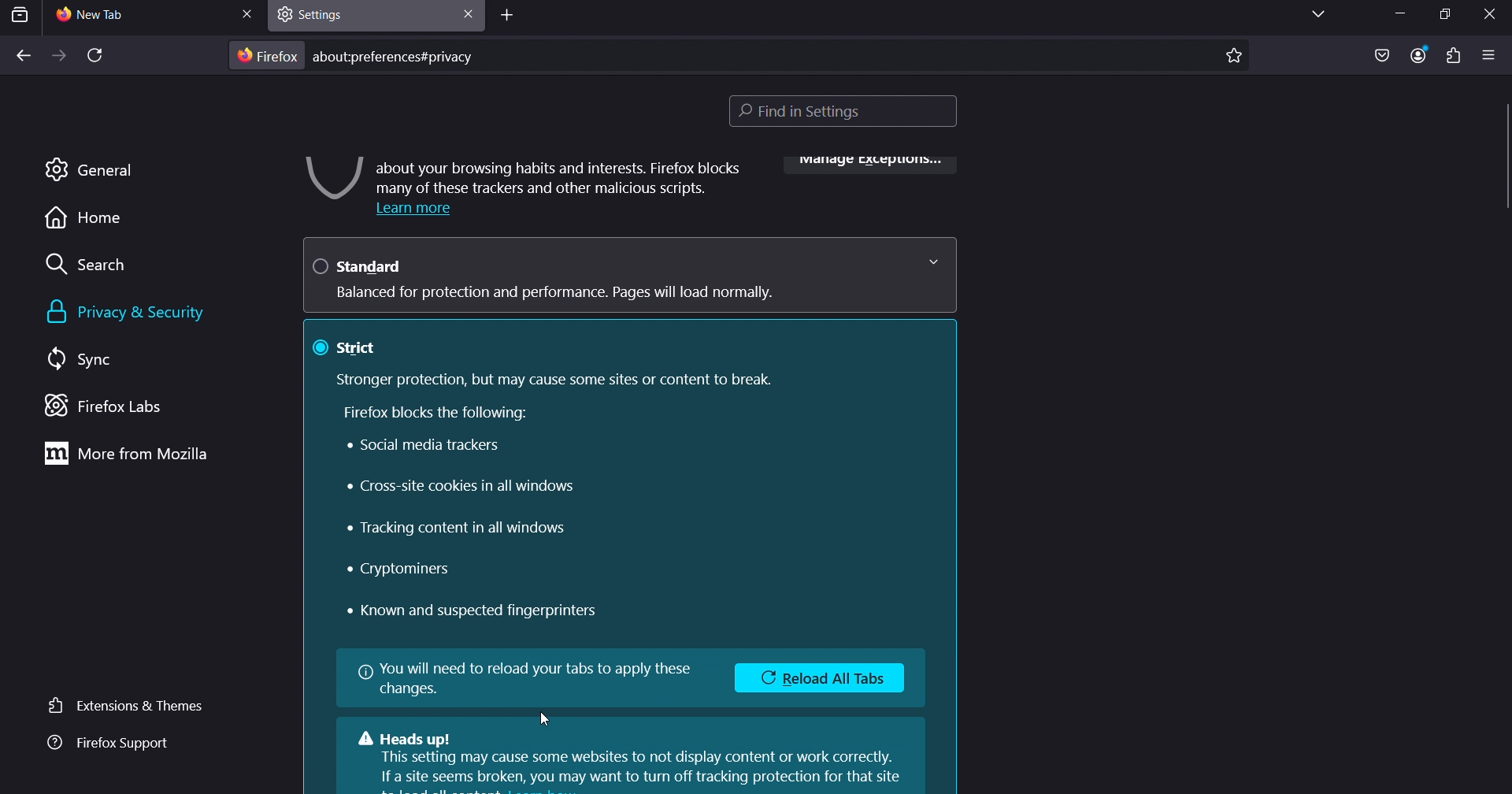 Image resolution: width=1512 pixels, height=794 pixels. Describe the element at coordinates (1489, 55) in the screenshot. I see `open application menu` at that location.